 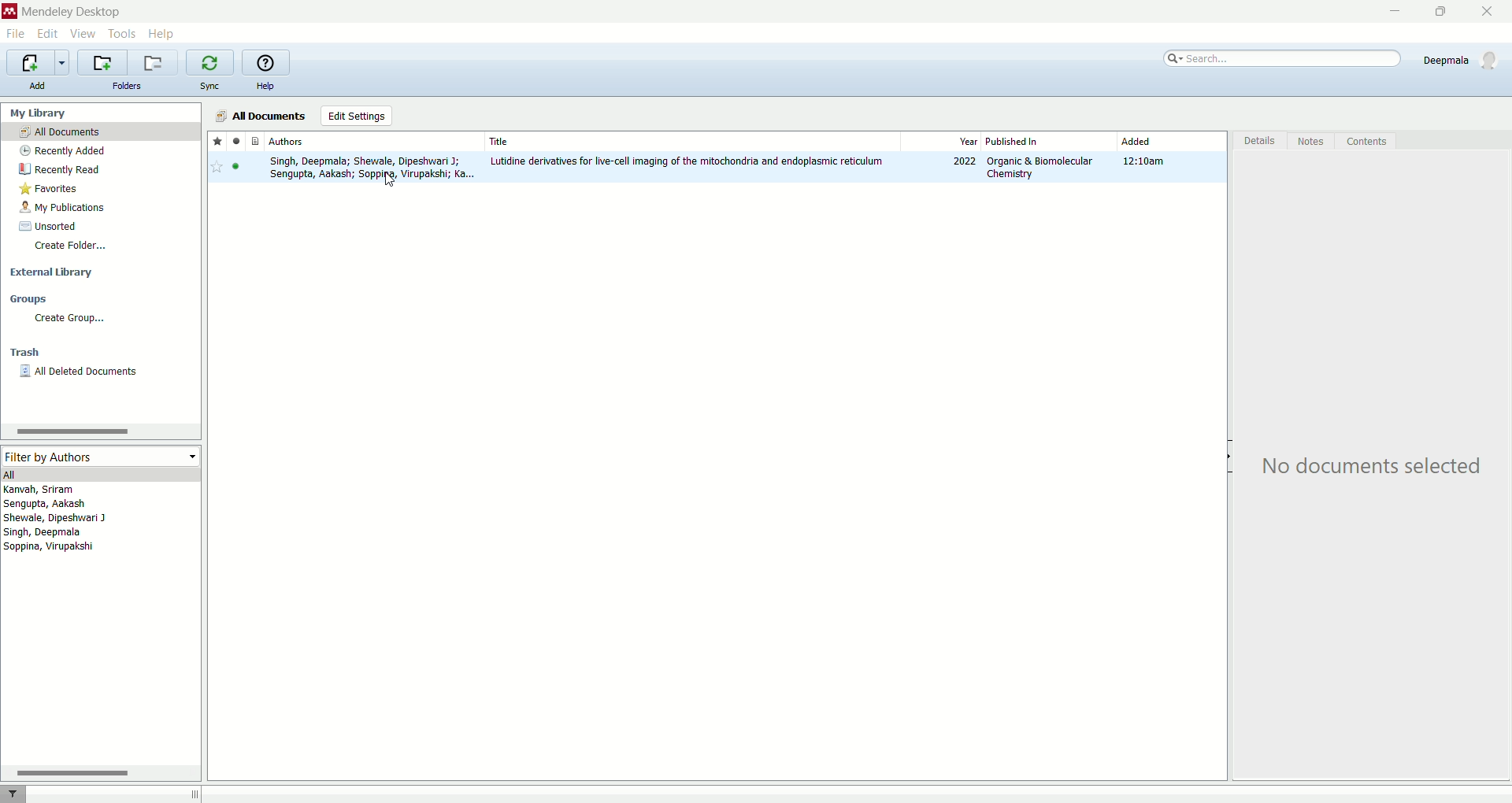 I want to click on import additional documents to the current collection, so click(x=39, y=61).